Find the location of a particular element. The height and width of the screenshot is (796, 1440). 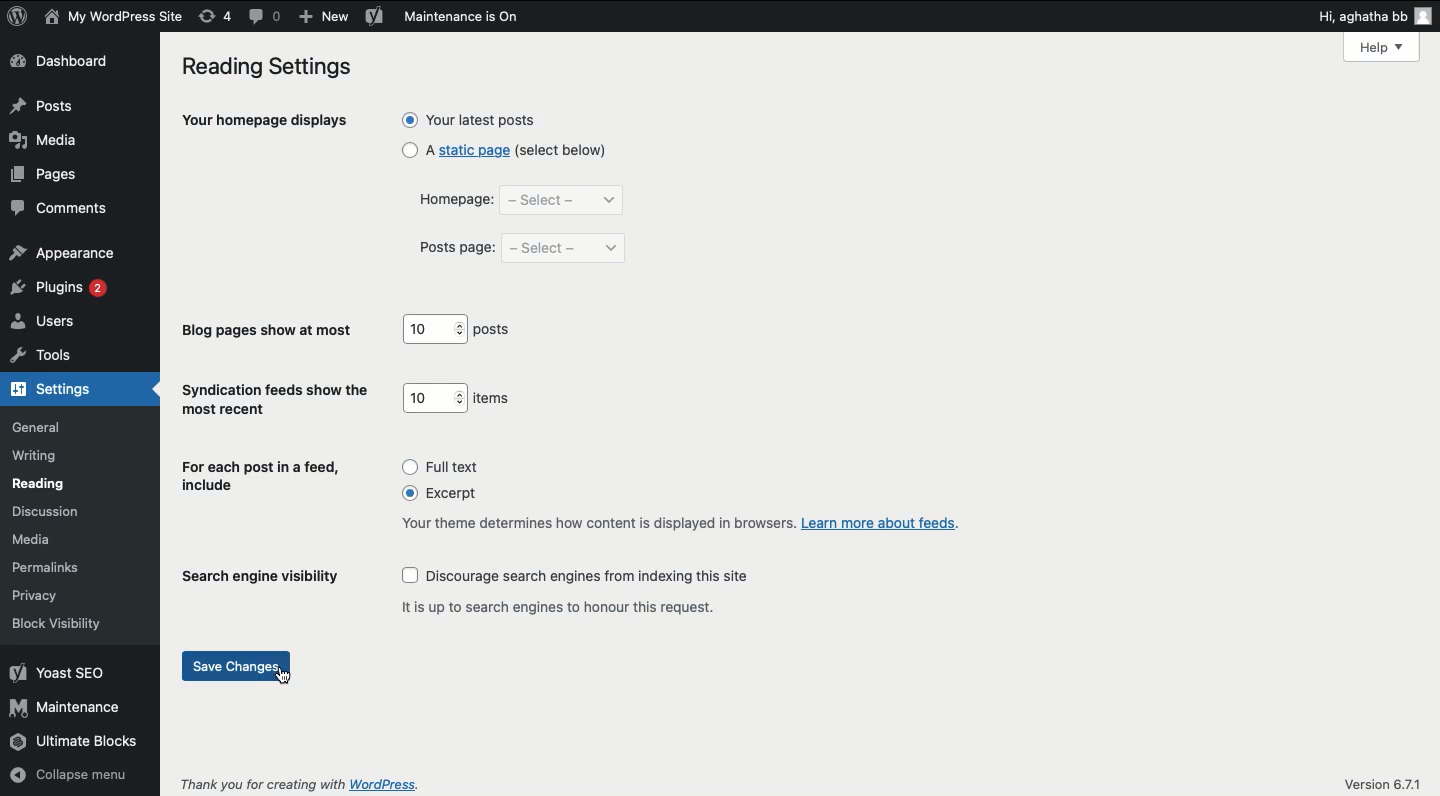

media is located at coordinates (31, 540).